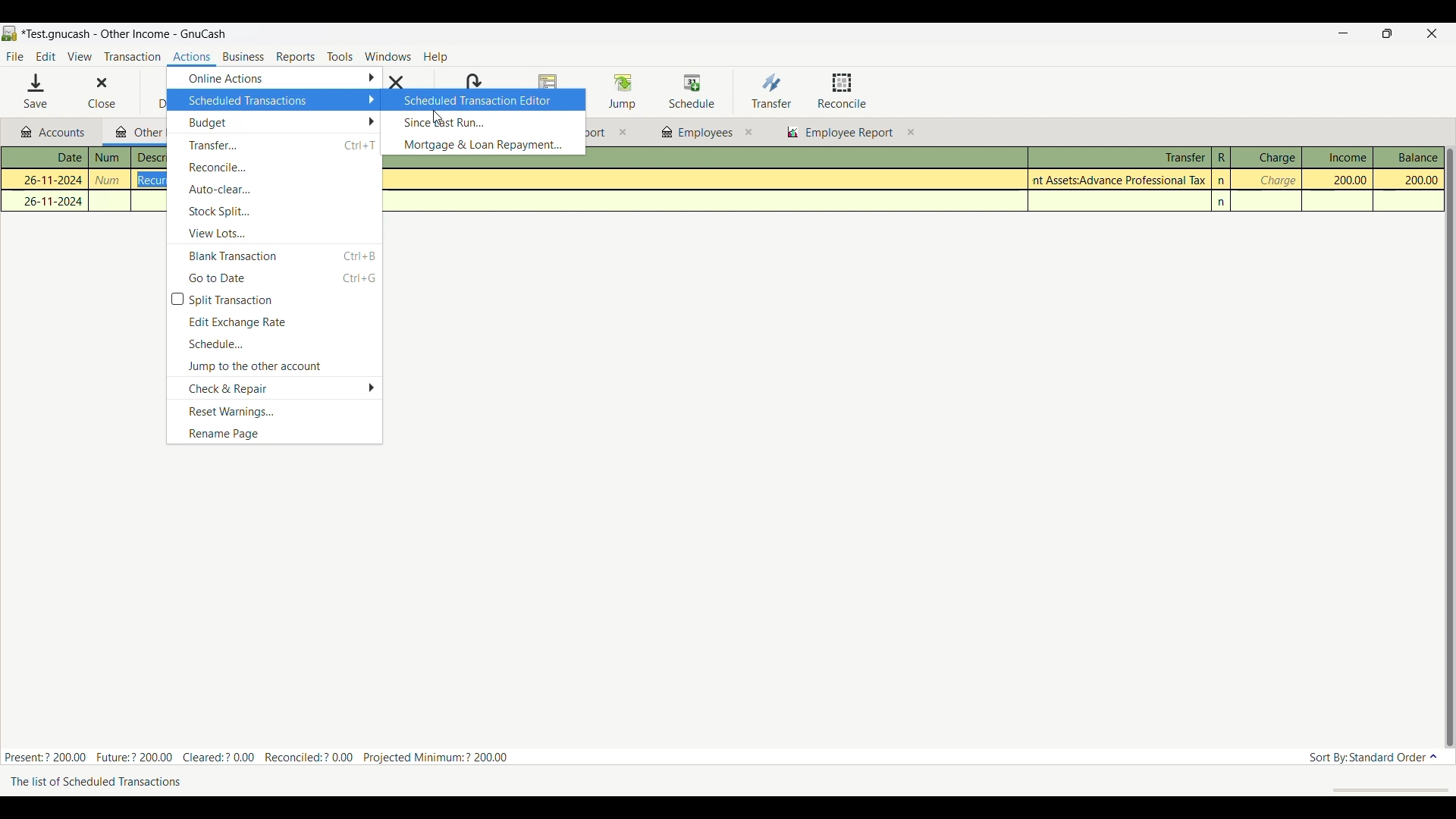 This screenshot has height=819, width=1456. What do you see at coordinates (1342, 180) in the screenshot?
I see `200.00` at bounding box center [1342, 180].